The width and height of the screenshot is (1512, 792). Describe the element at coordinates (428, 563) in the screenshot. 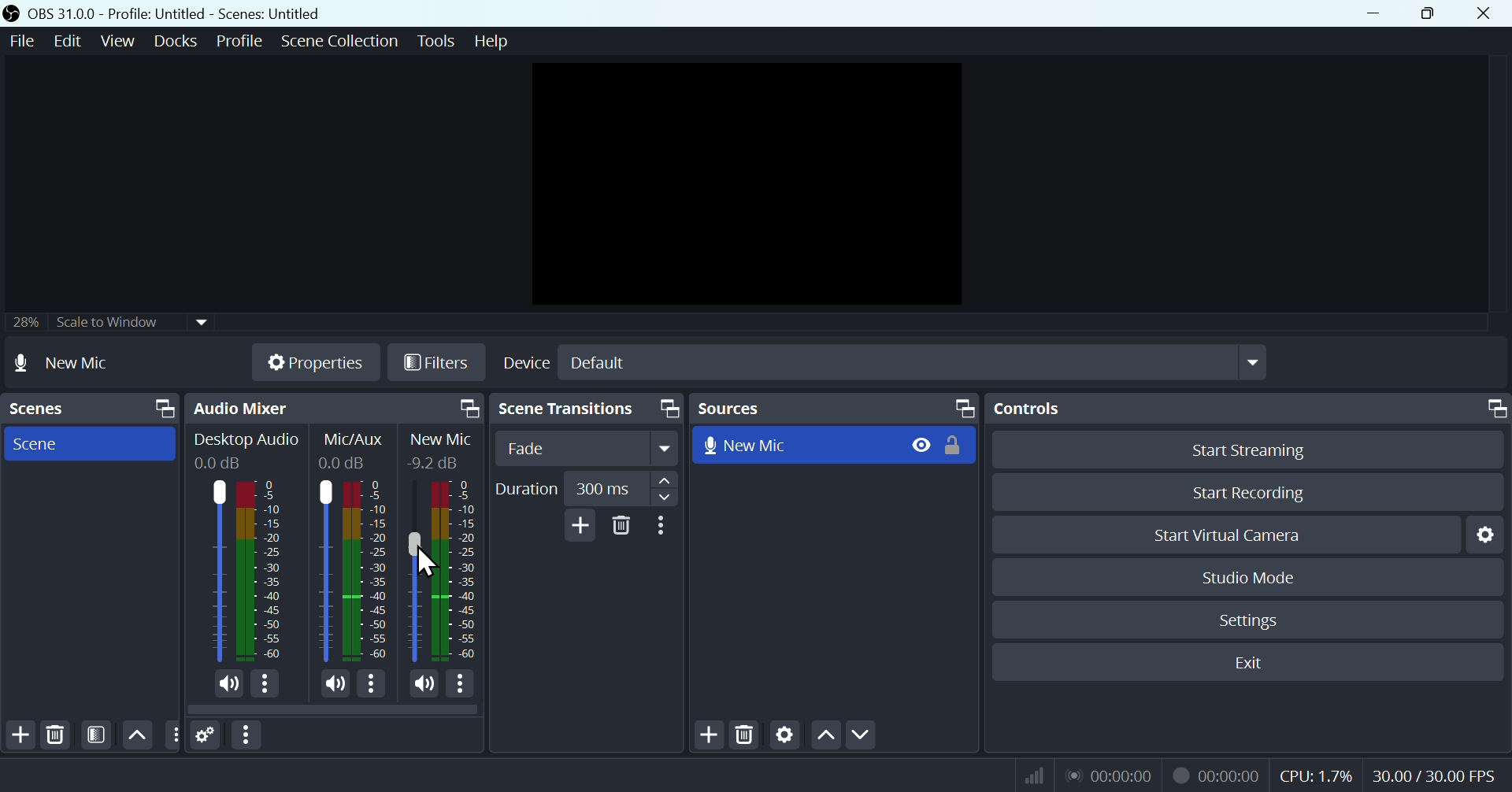

I see `Cursor` at that location.